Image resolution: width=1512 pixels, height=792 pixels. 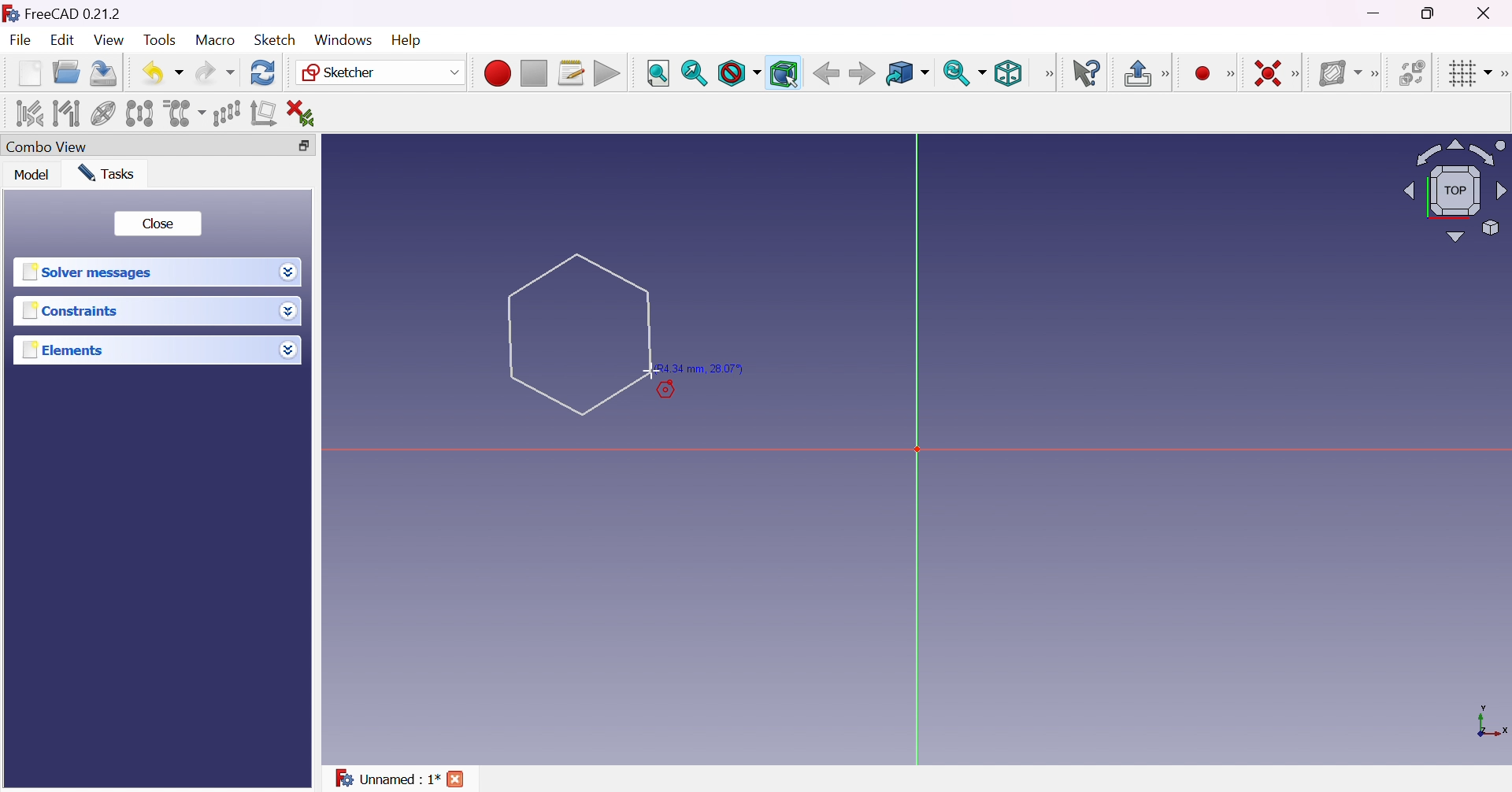 What do you see at coordinates (784, 74) in the screenshot?
I see `Bounding box` at bounding box center [784, 74].